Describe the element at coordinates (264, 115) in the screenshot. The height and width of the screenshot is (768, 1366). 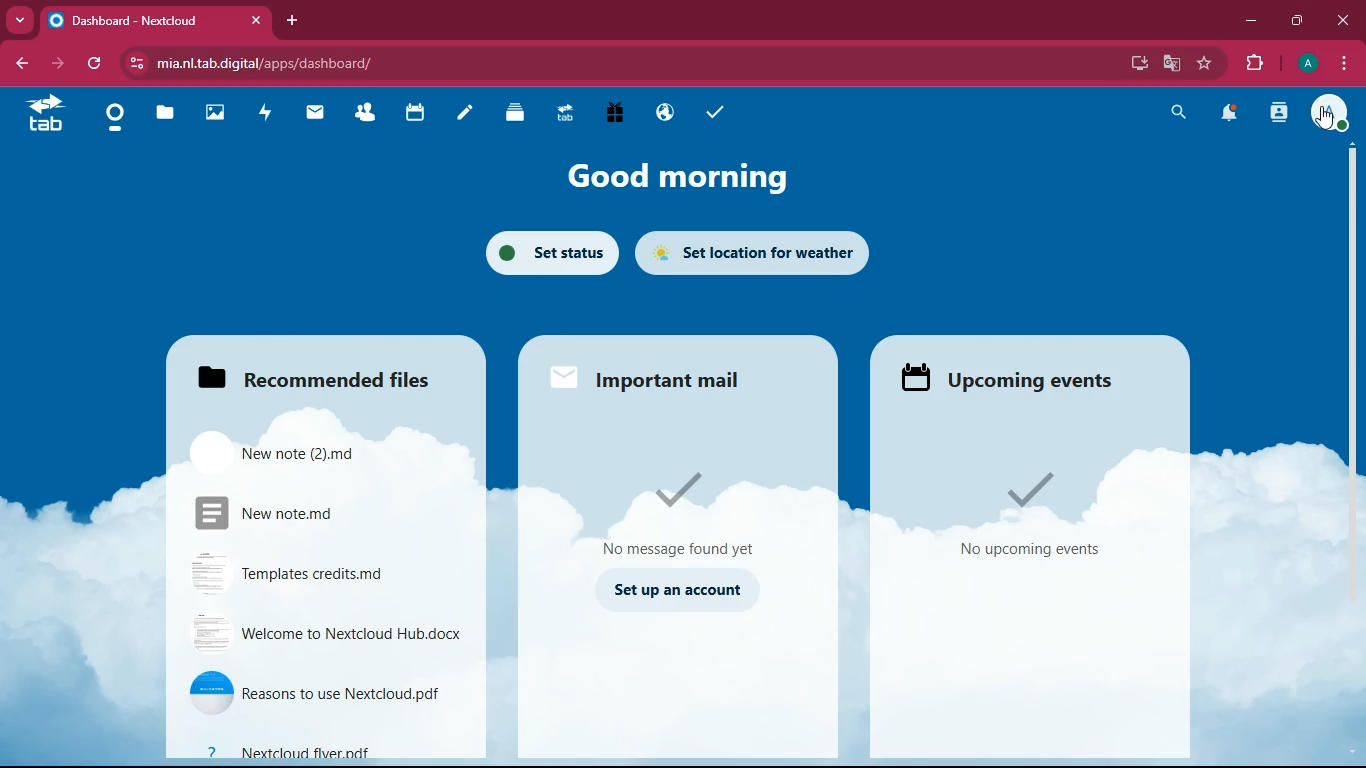
I see `activity` at that location.